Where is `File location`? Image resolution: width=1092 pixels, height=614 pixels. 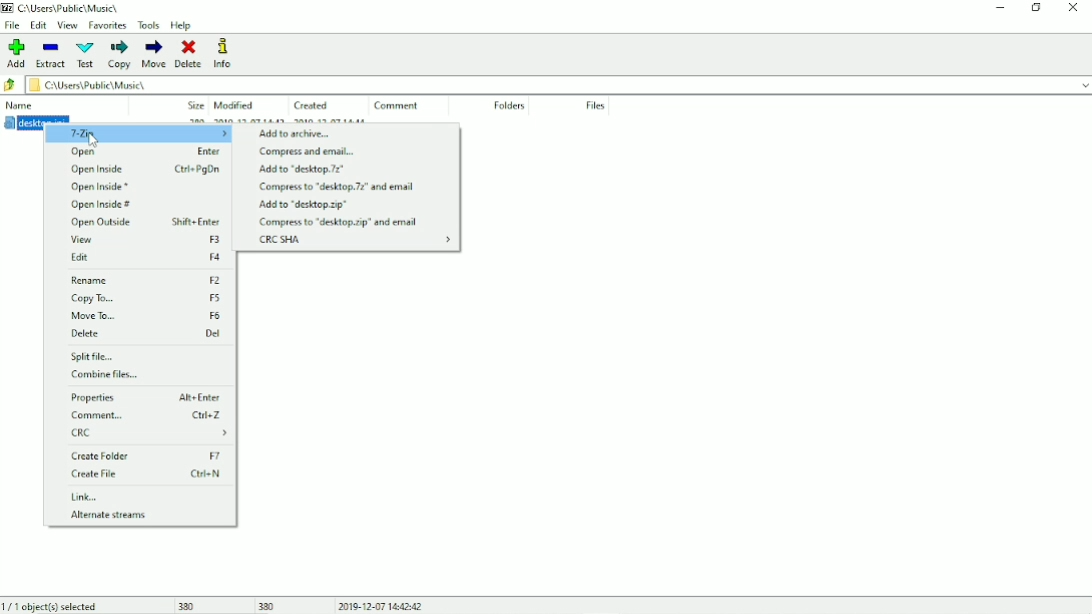
File location is located at coordinates (558, 84).